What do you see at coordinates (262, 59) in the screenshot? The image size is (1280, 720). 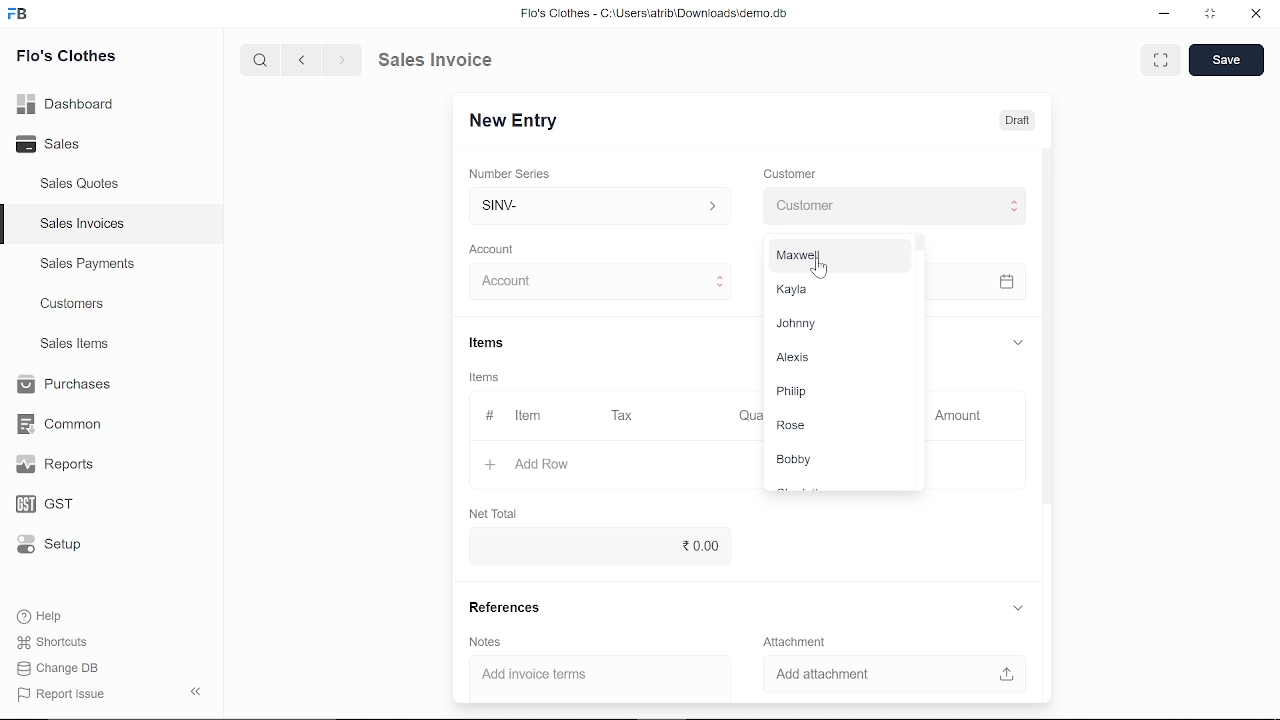 I see `search` at bounding box center [262, 59].